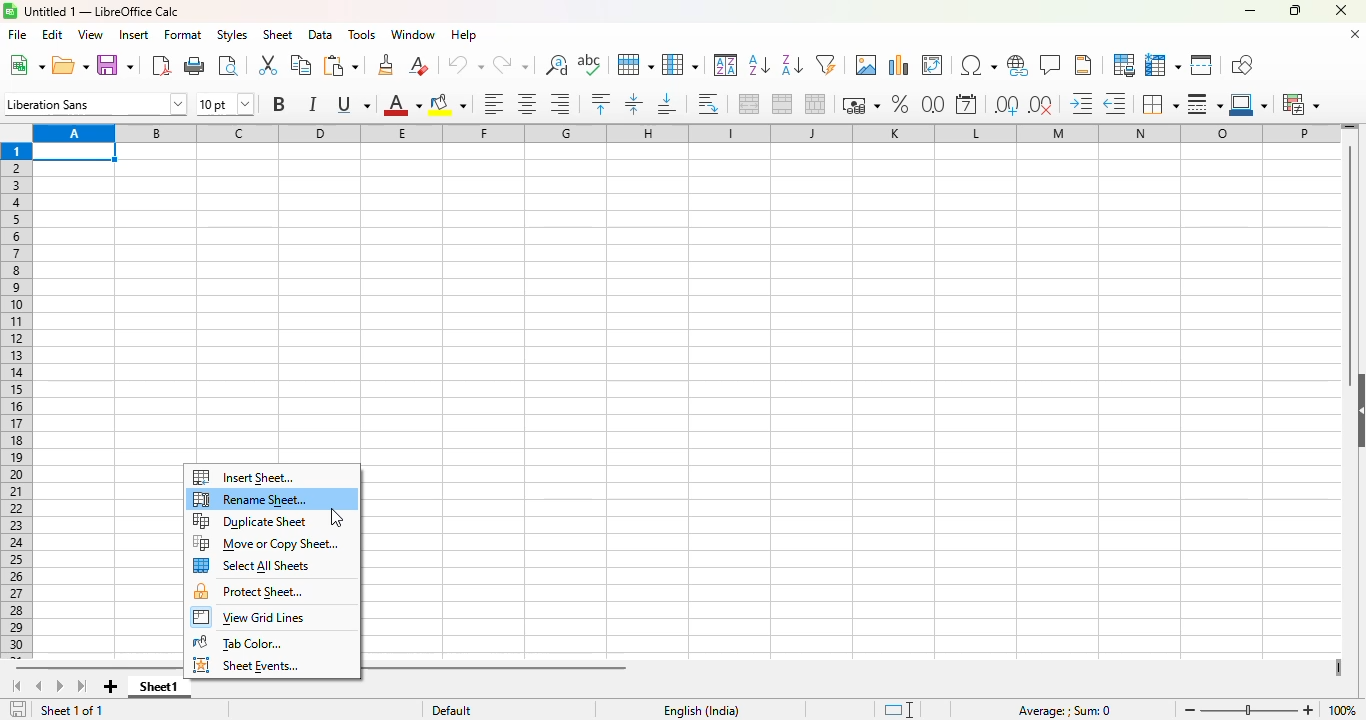 This screenshot has height=720, width=1366. Describe the element at coordinates (161, 65) in the screenshot. I see `export directly as PDF` at that location.